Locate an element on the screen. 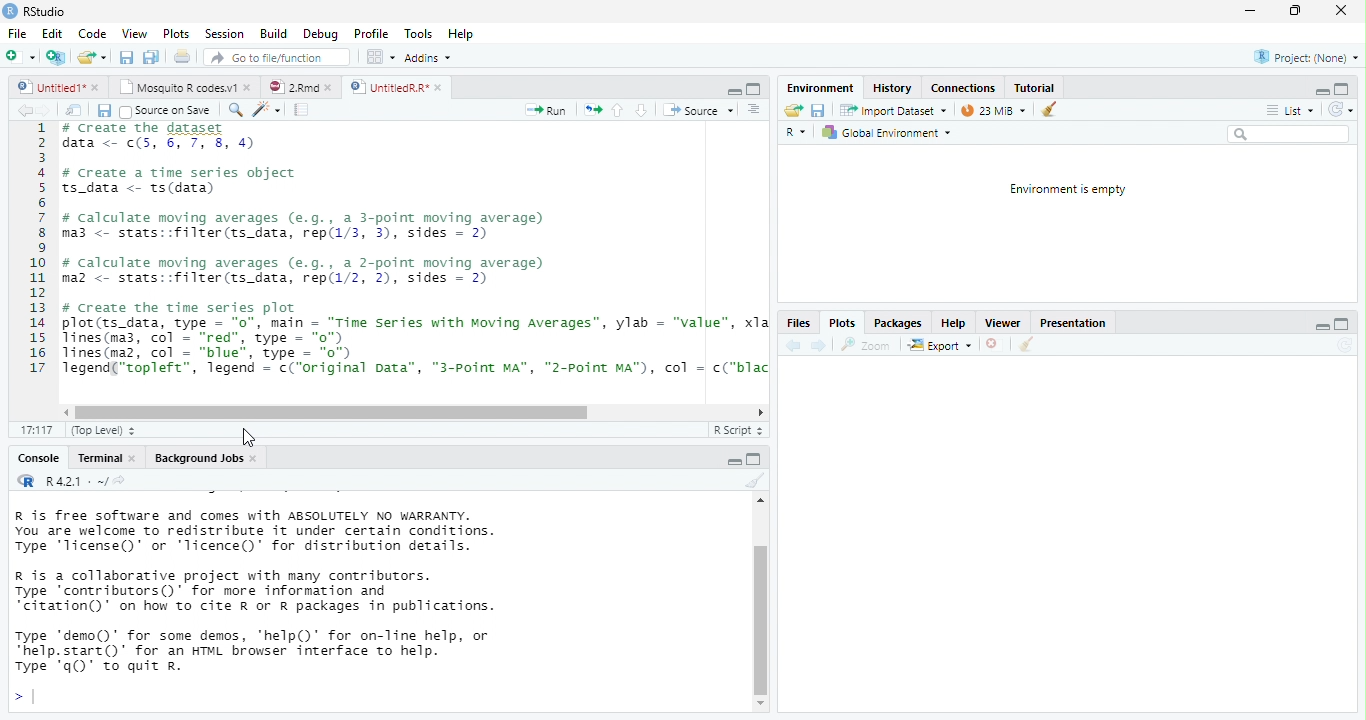  down is located at coordinates (641, 110).